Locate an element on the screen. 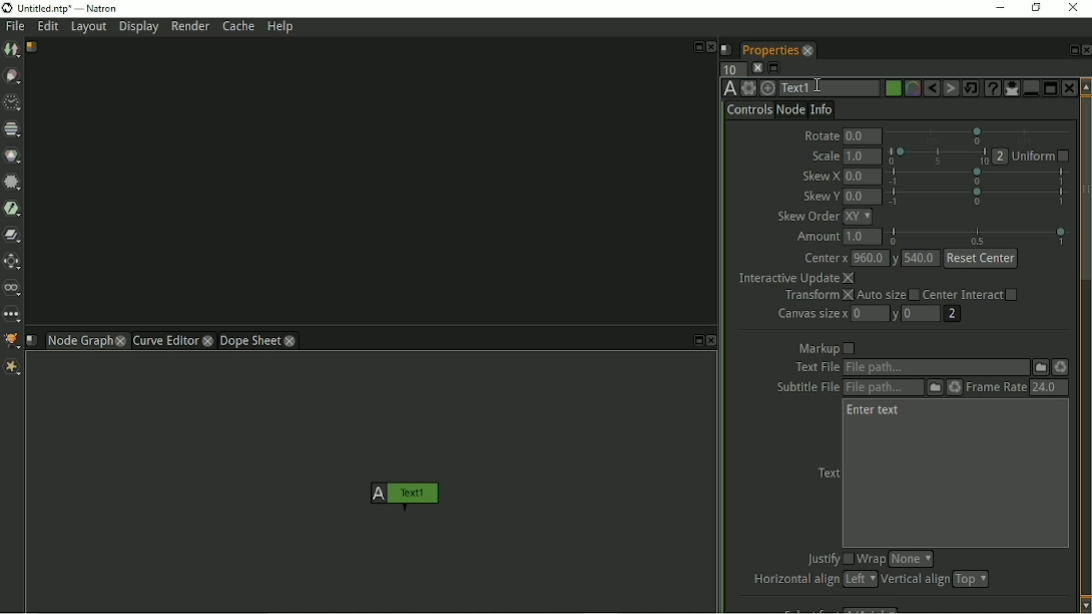 This screenshot has height=614, width=1092. logo is located at coordinates (7, 8).